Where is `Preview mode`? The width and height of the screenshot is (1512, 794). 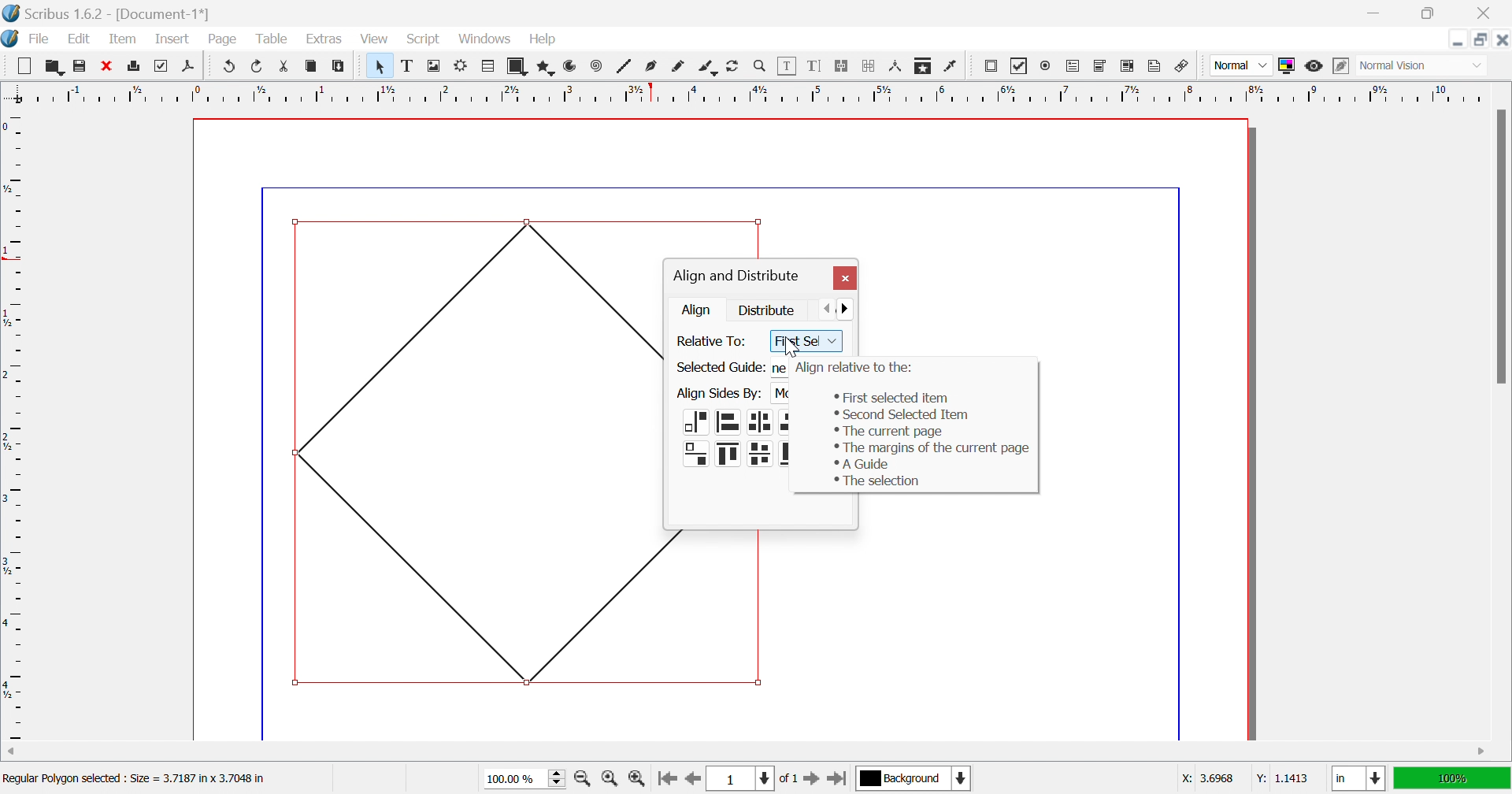
Preview mode is located at coordinates (1313, 66).